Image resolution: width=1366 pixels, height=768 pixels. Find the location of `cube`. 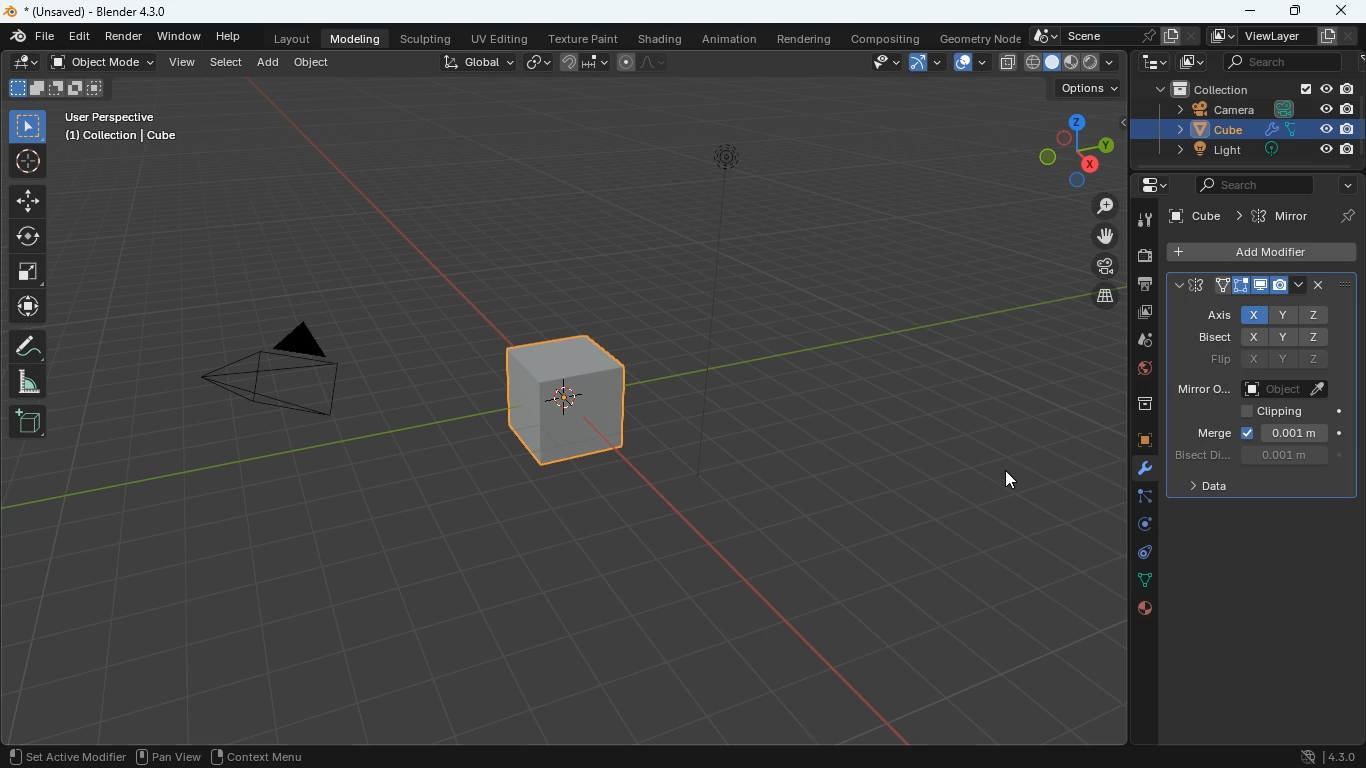

cube is located at coordinates (1244, 130).